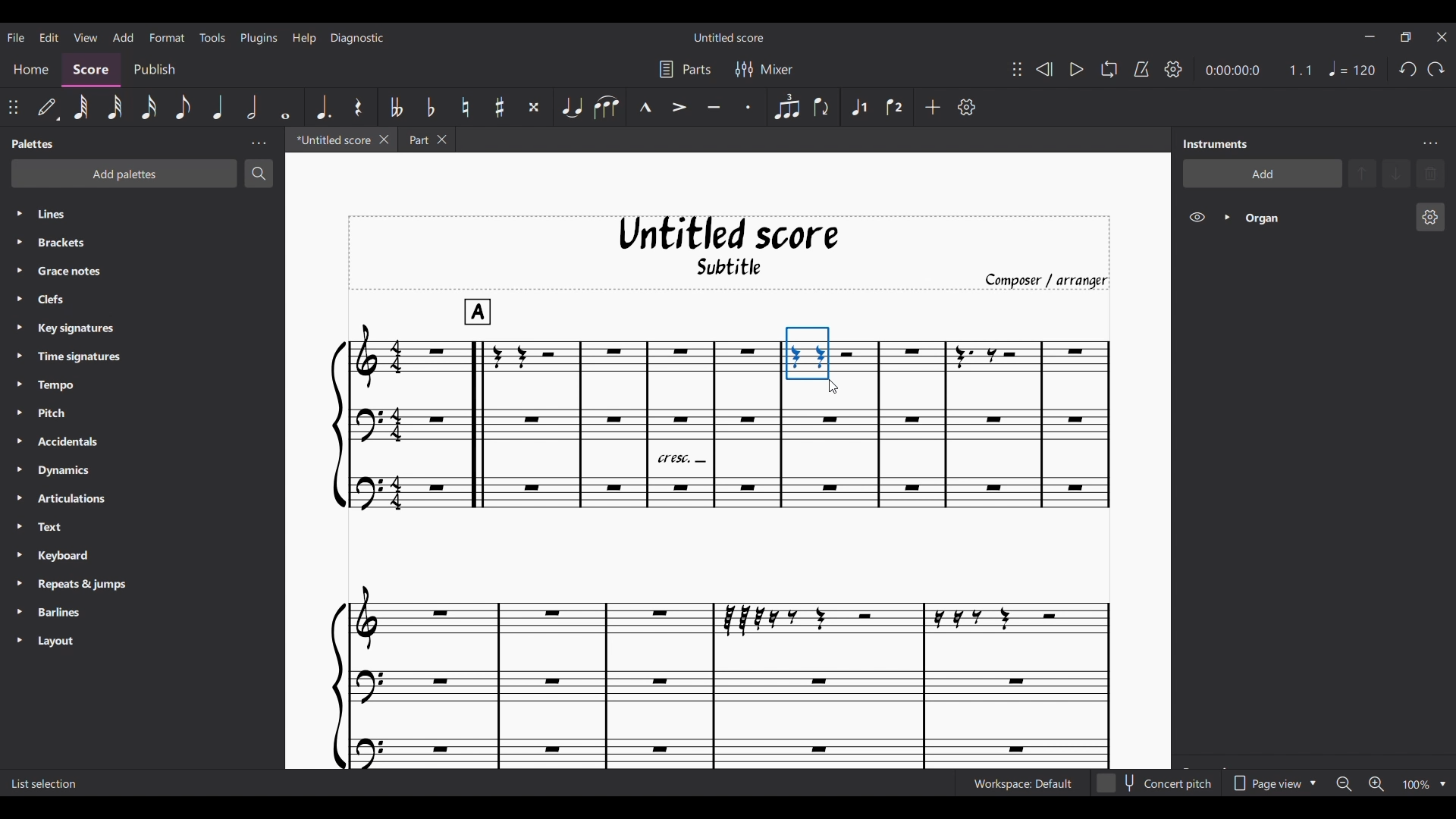  I want to click on Default, so click(47, 106).